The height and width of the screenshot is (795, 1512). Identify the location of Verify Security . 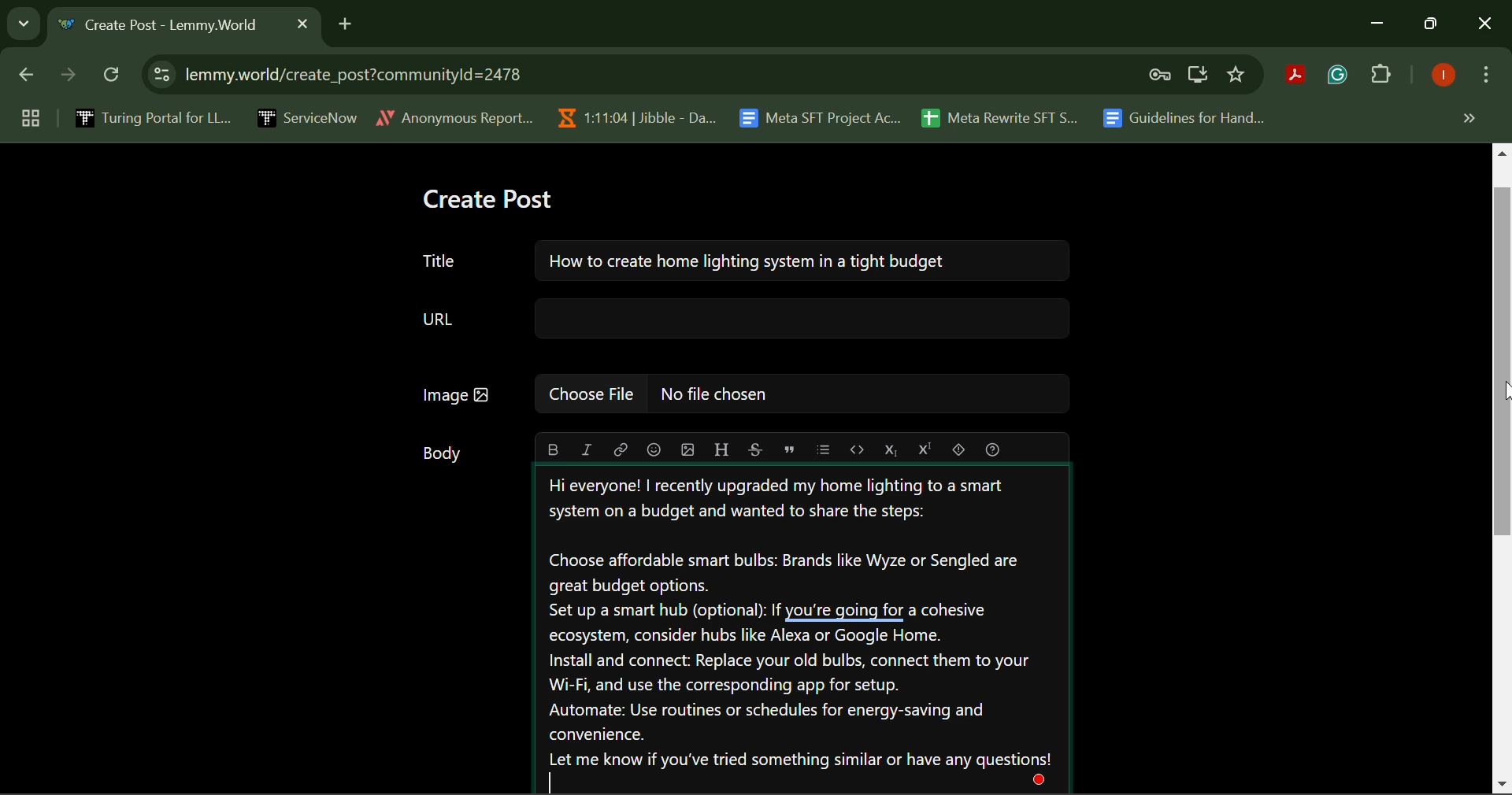
(1162, 75).